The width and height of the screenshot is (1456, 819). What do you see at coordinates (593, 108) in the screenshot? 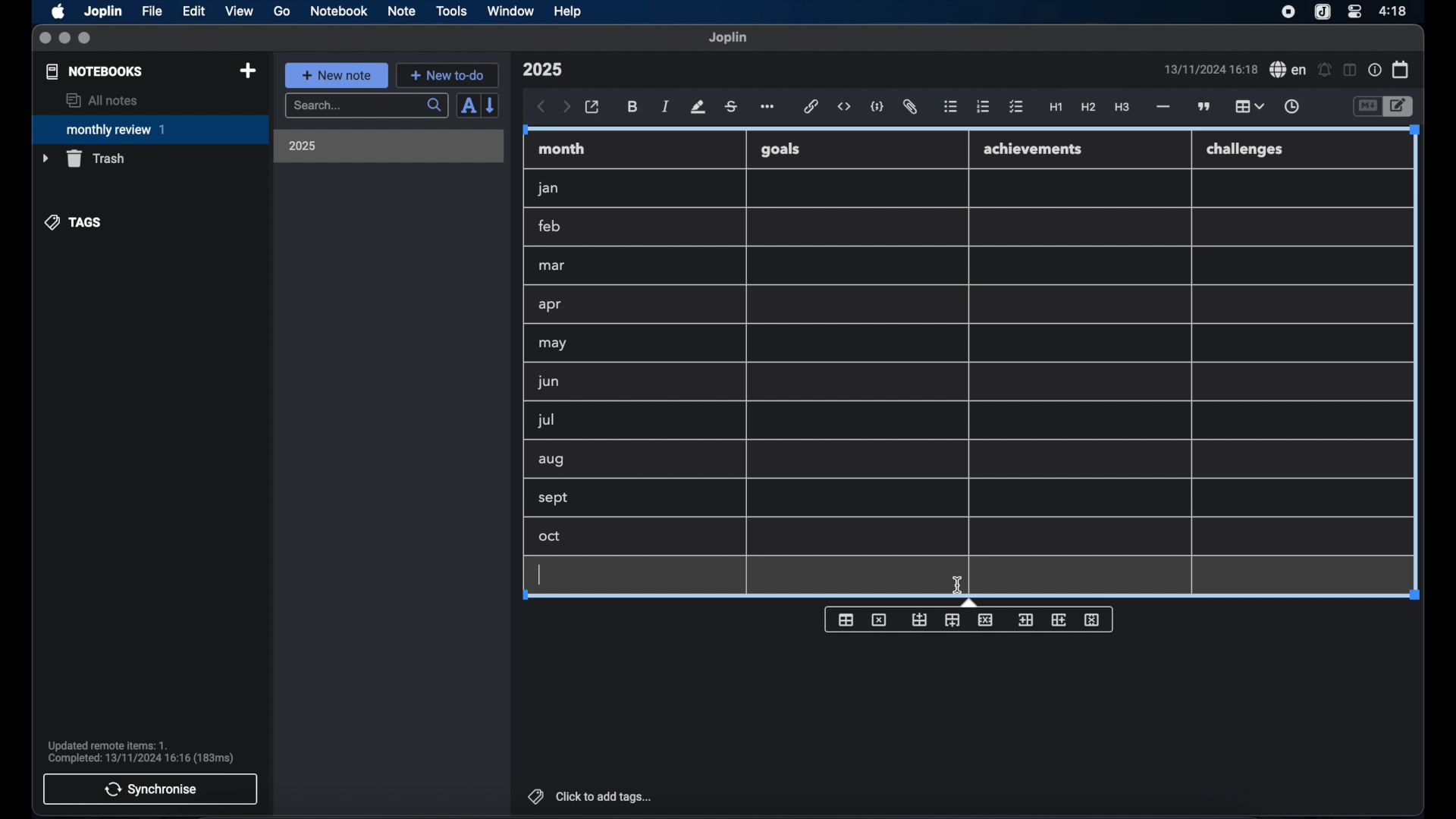
I see `open in external editor` at bounding box center [593, 108].